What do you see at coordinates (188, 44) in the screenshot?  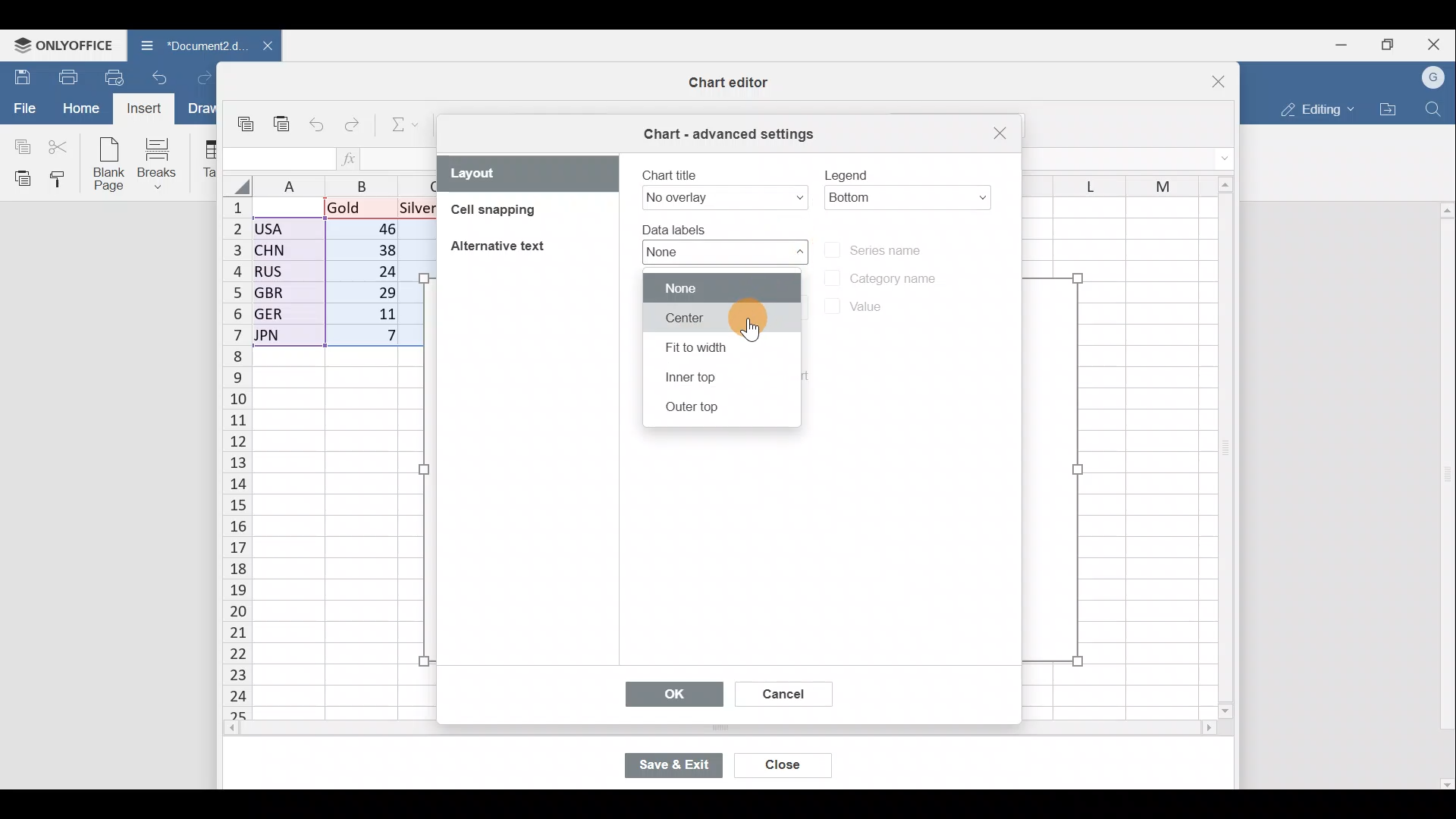 I see `Document name` at bounding box center [188, 44].